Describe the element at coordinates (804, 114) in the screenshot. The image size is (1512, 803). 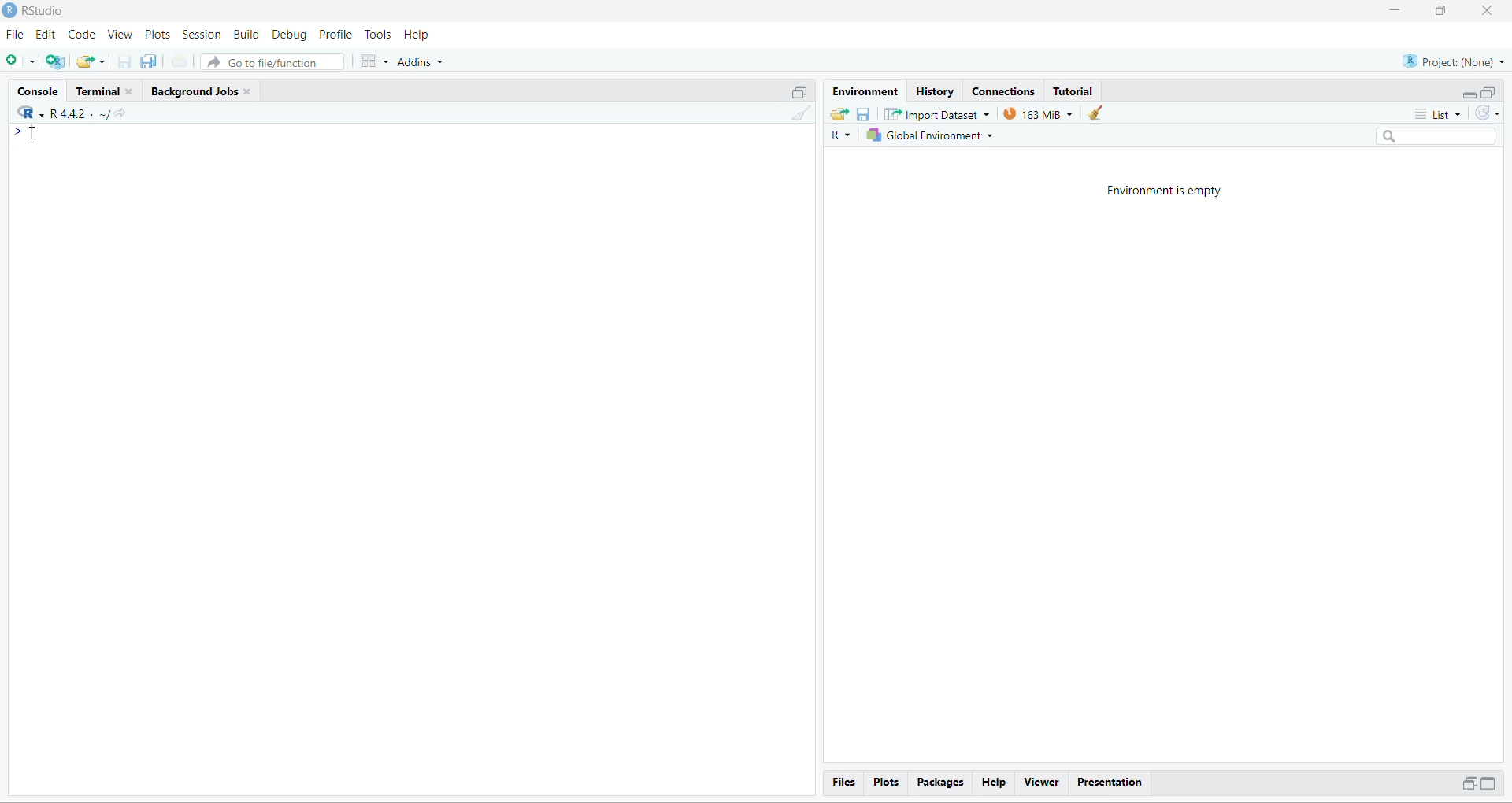
I see `clear console` at that location.